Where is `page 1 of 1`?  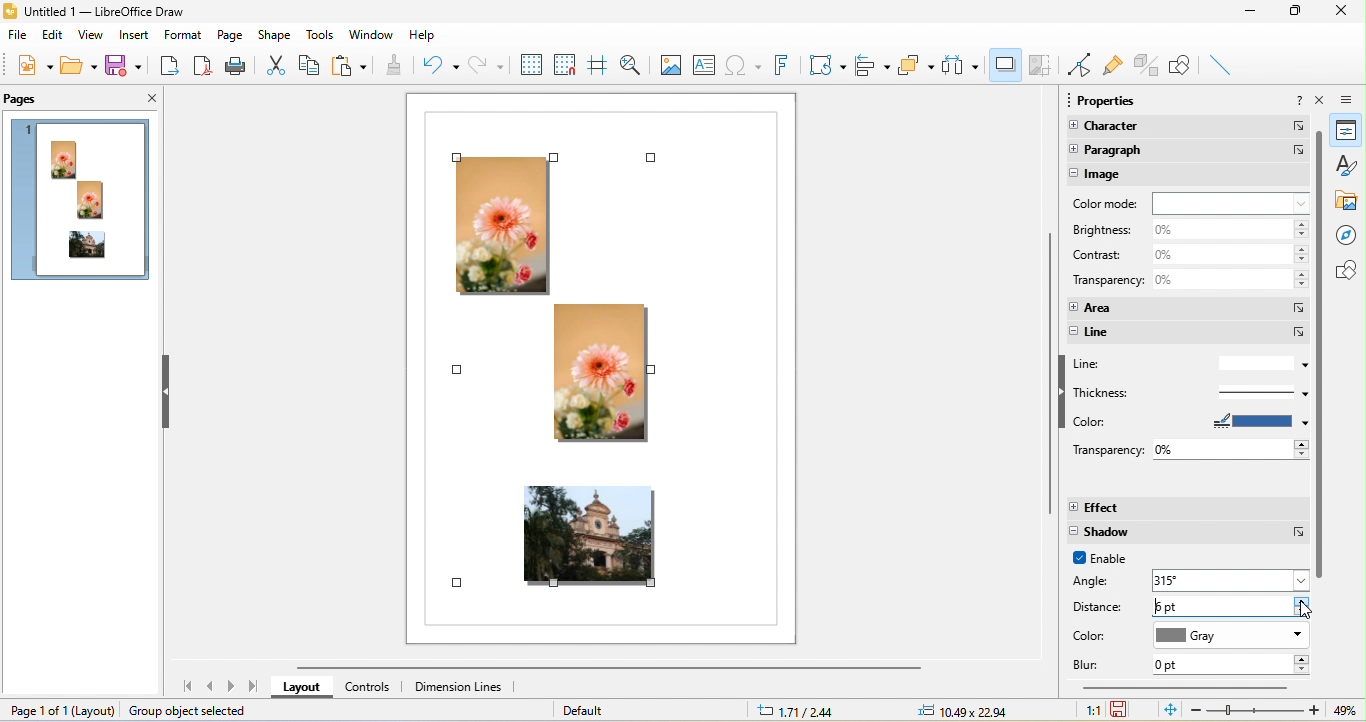
page 1 of 1 is located at coordinates (53, 709).